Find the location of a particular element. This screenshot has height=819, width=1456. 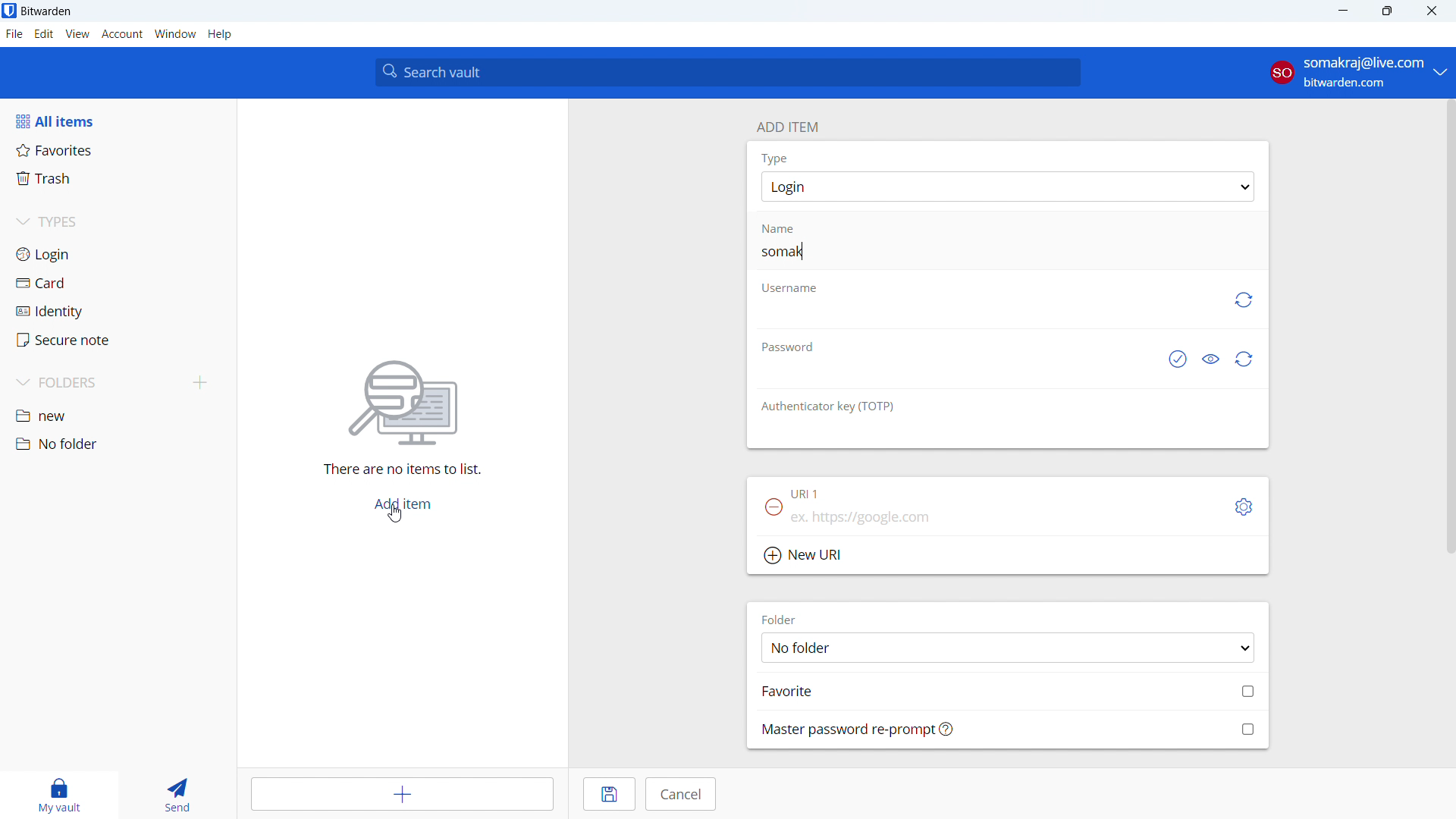

generate username is located at coordinates (1242, 300).